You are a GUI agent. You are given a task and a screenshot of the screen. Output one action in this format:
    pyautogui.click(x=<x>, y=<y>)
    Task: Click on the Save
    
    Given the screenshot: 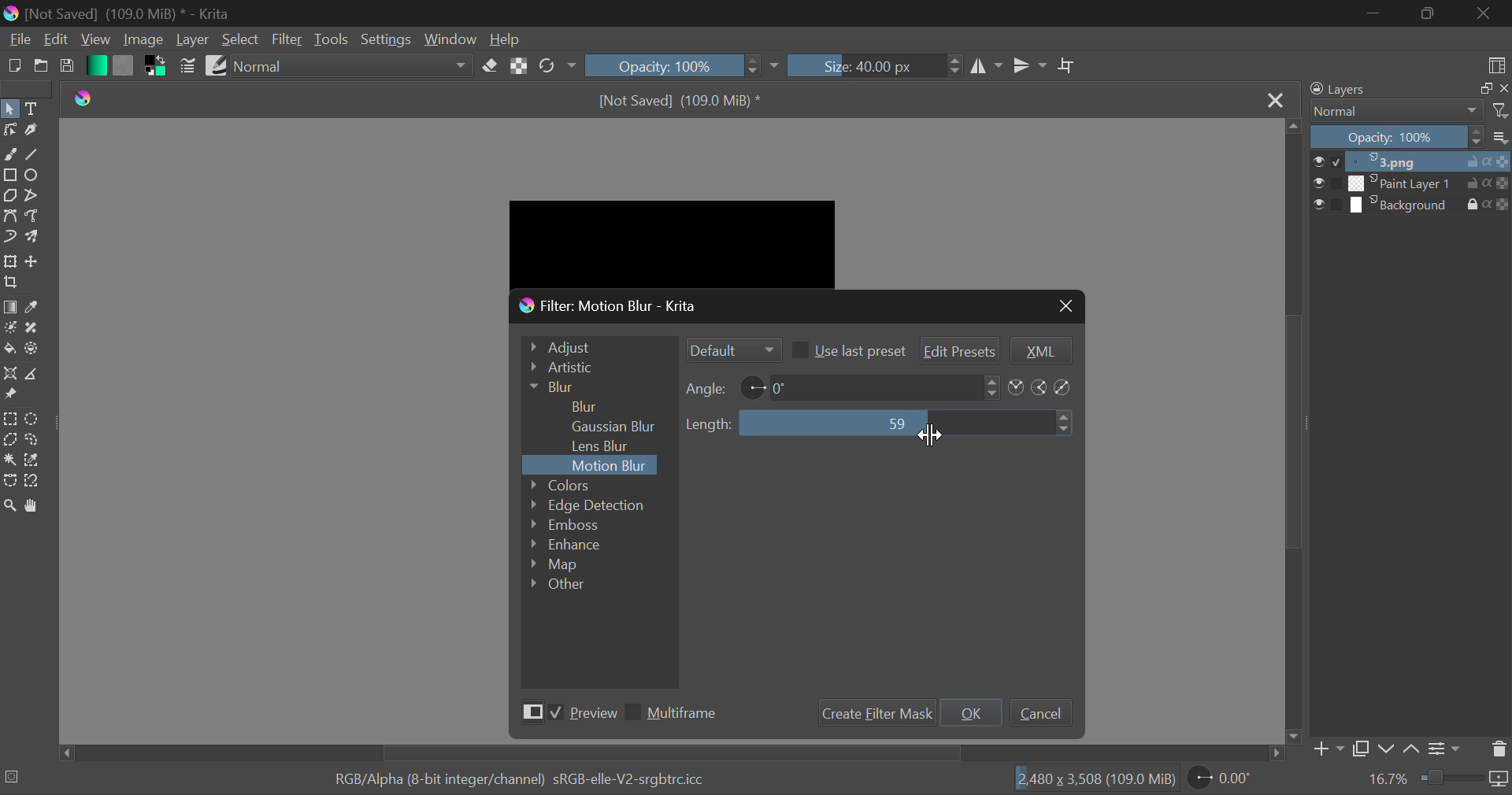 What is the action you would take?
    pyautogui.click(x=67, y=69)
    